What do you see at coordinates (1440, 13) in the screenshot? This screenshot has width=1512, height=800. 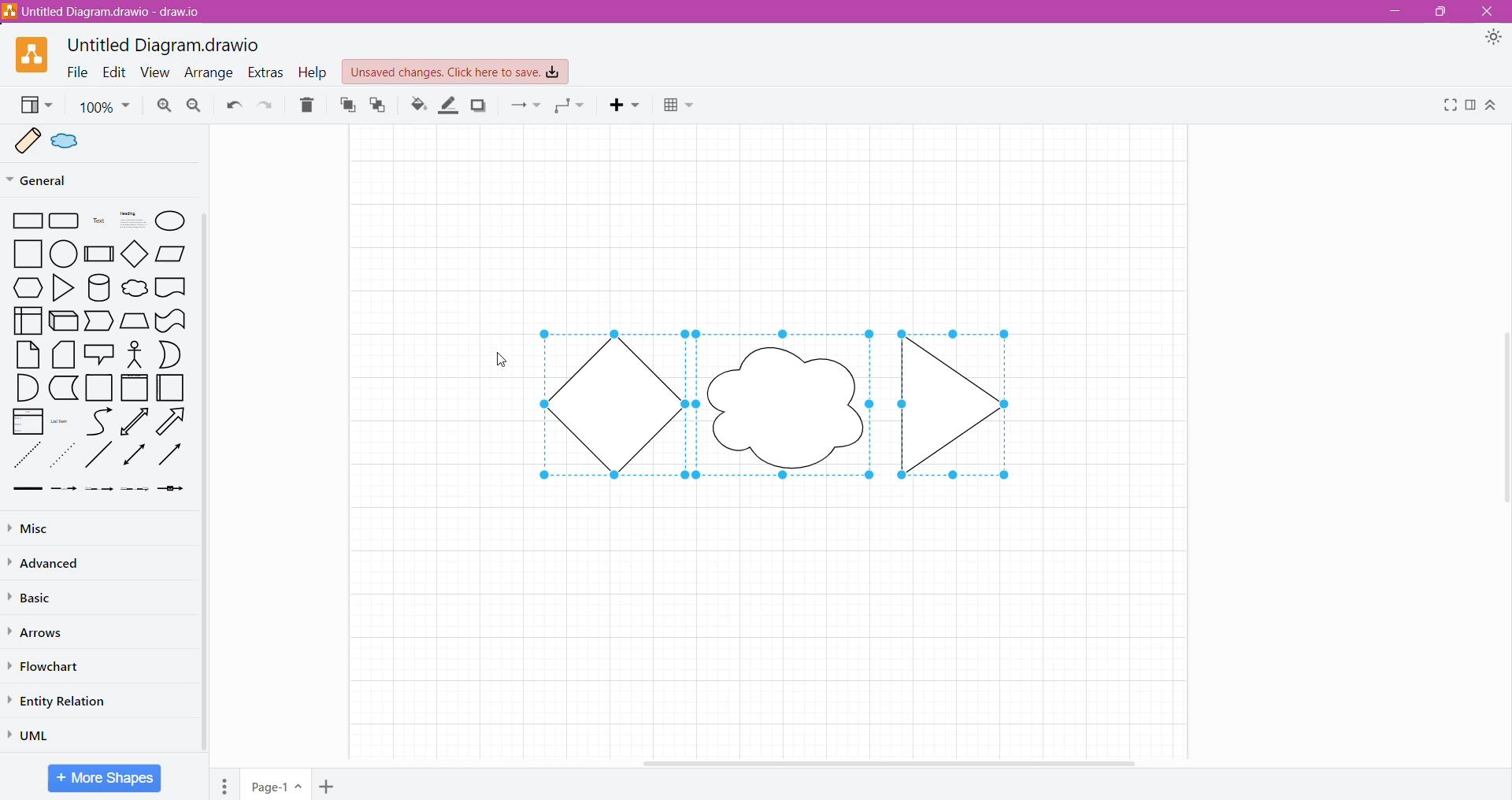 I see `Restore Down` at bounding box center [1440, 13].